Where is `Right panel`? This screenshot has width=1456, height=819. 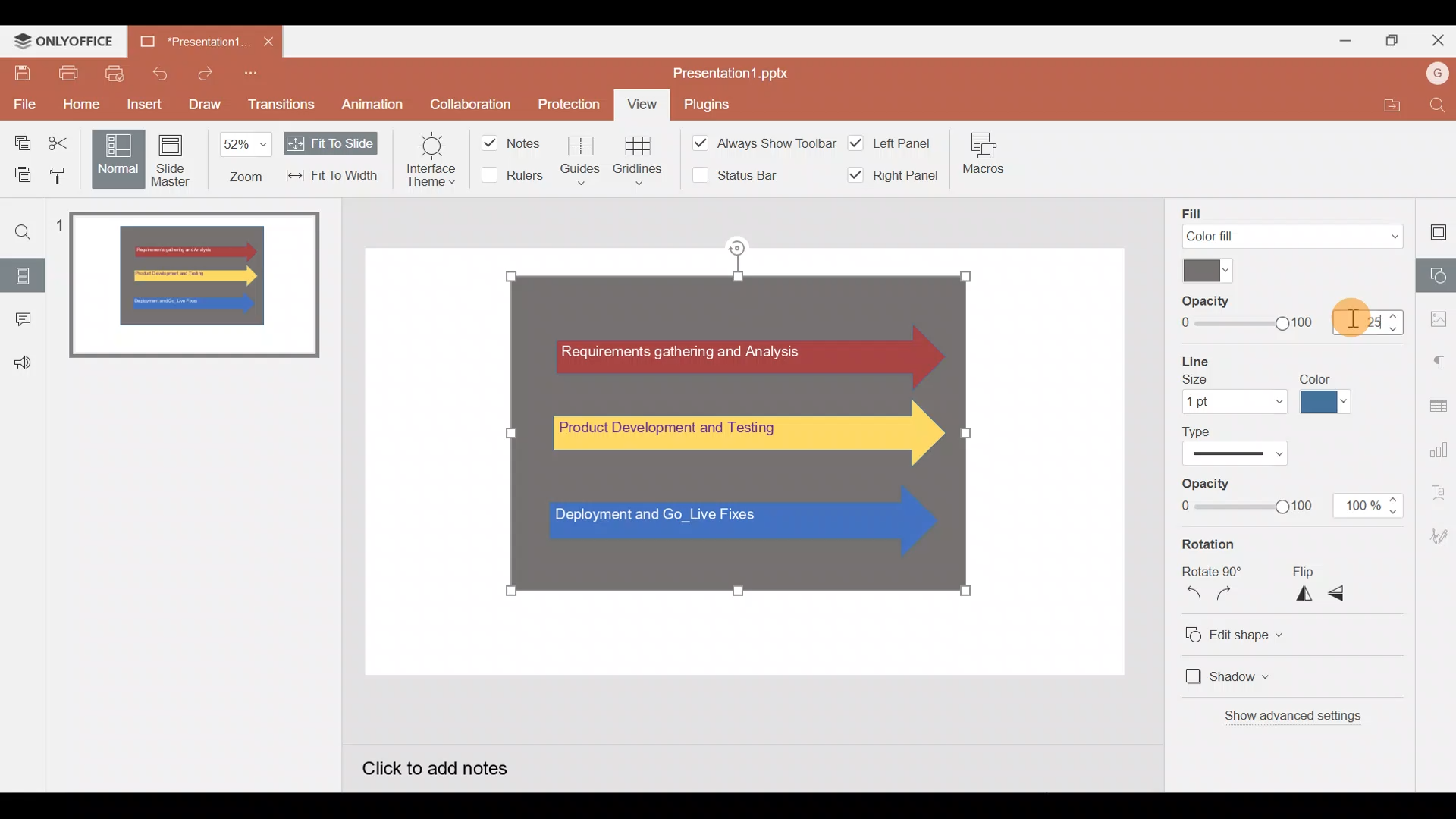 Right panel is located at coordinates (890, 176).